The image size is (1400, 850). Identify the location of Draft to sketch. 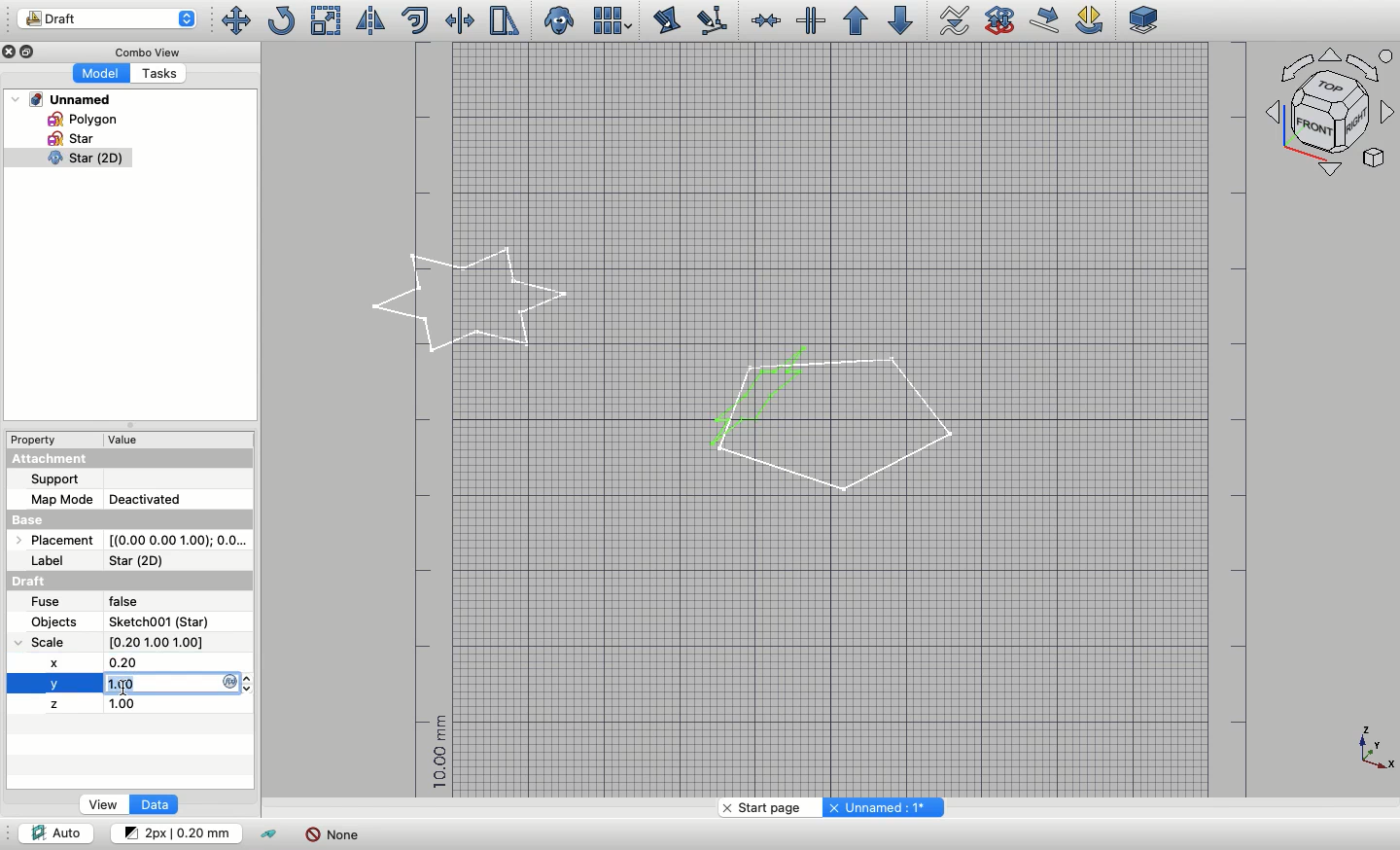
(1000, 18).